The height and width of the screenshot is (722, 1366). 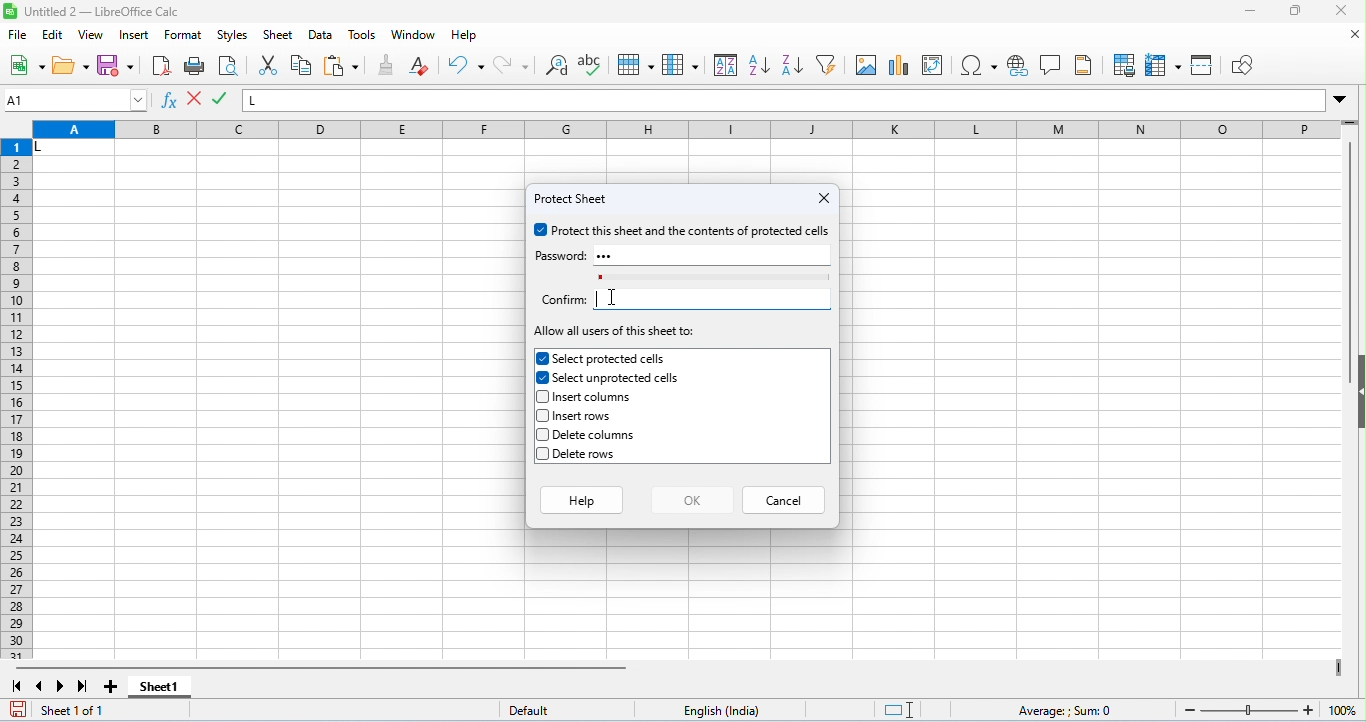 I want to click on default, so click(x=539, y=711).